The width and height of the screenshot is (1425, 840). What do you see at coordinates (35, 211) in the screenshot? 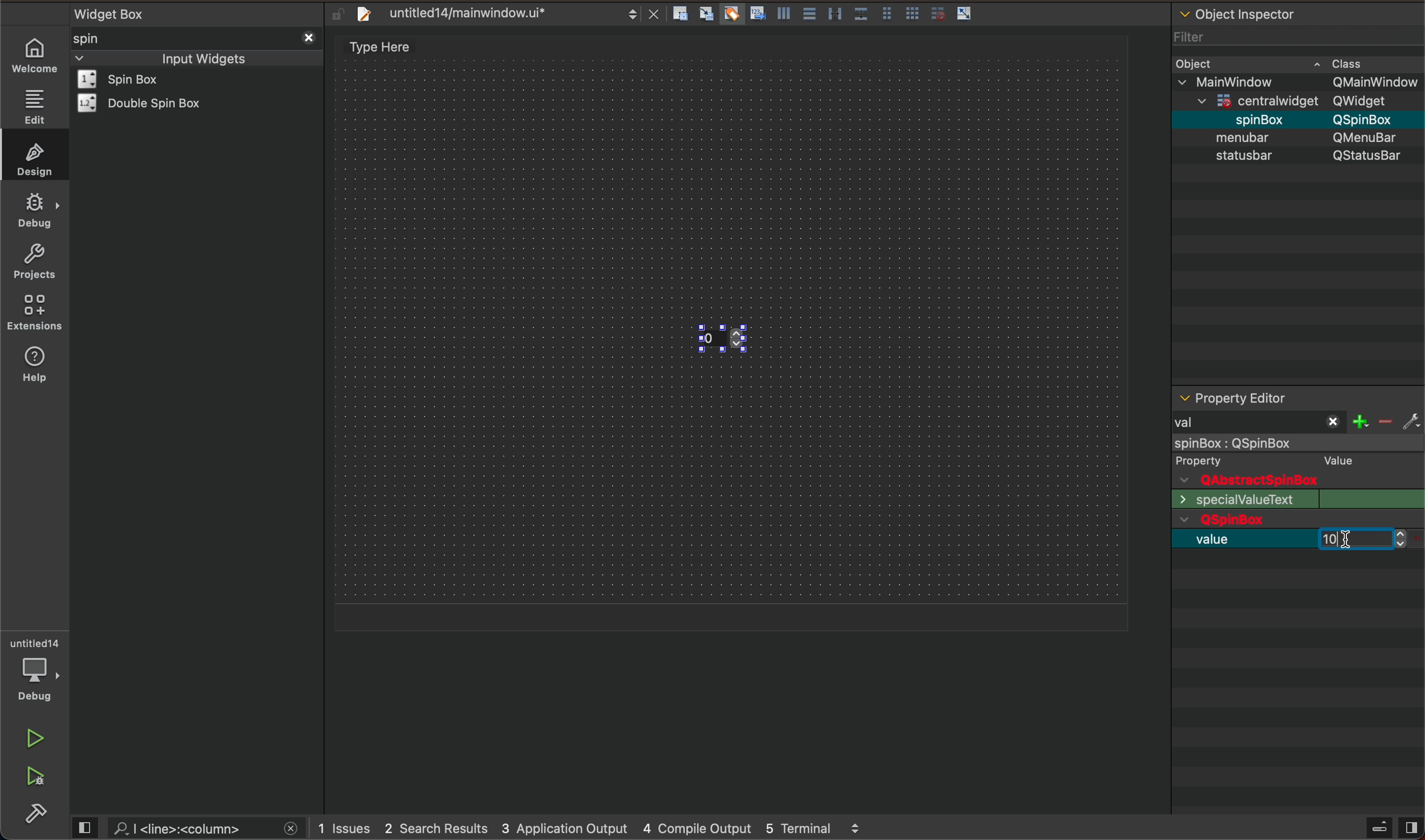
I see `debug` at bounding box center [35, 211].